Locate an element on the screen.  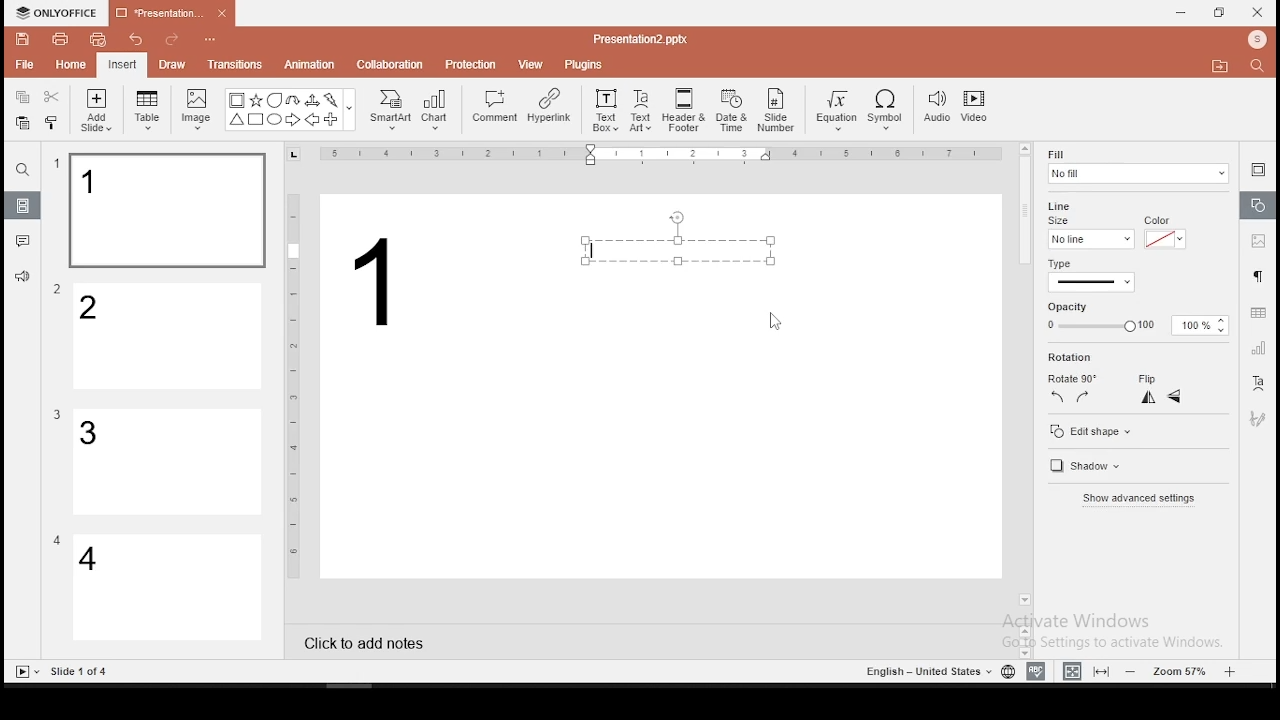
Bubble is located at coordinates (274, 100).